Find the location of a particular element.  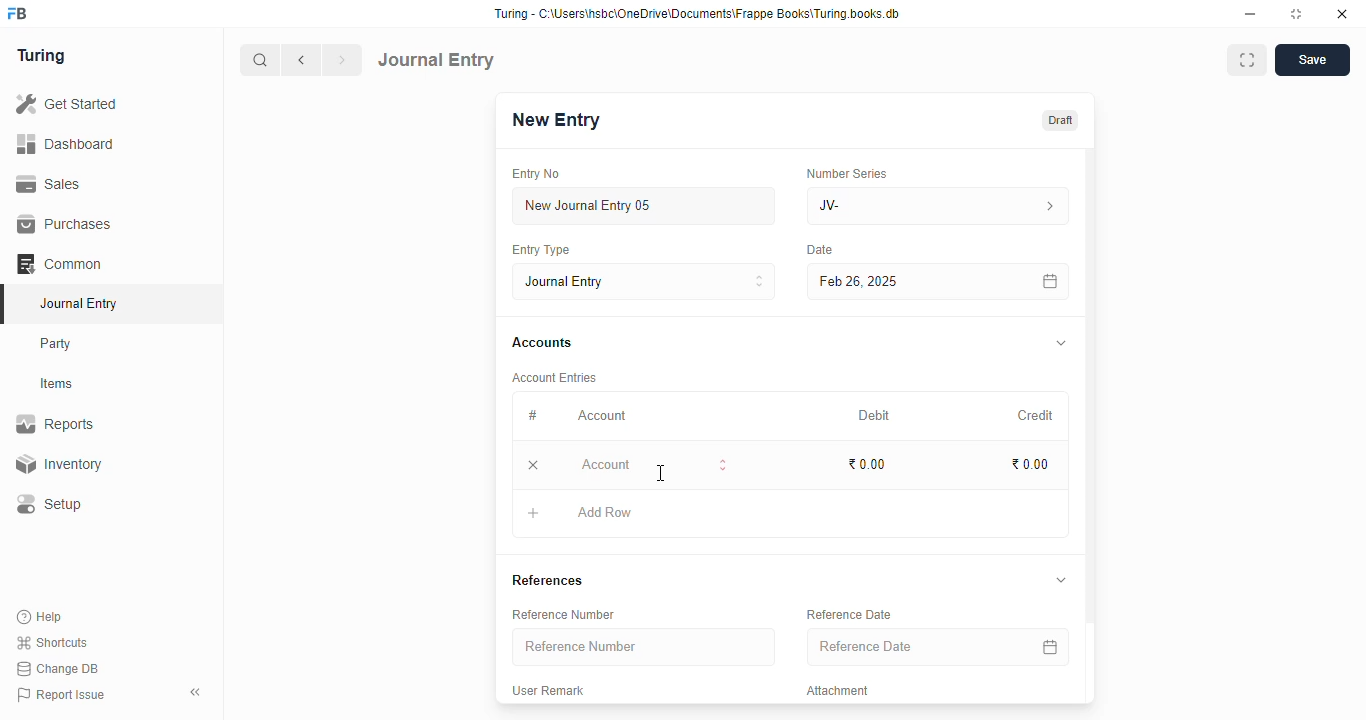

₹0.00 is located at coordinates (868, 464).